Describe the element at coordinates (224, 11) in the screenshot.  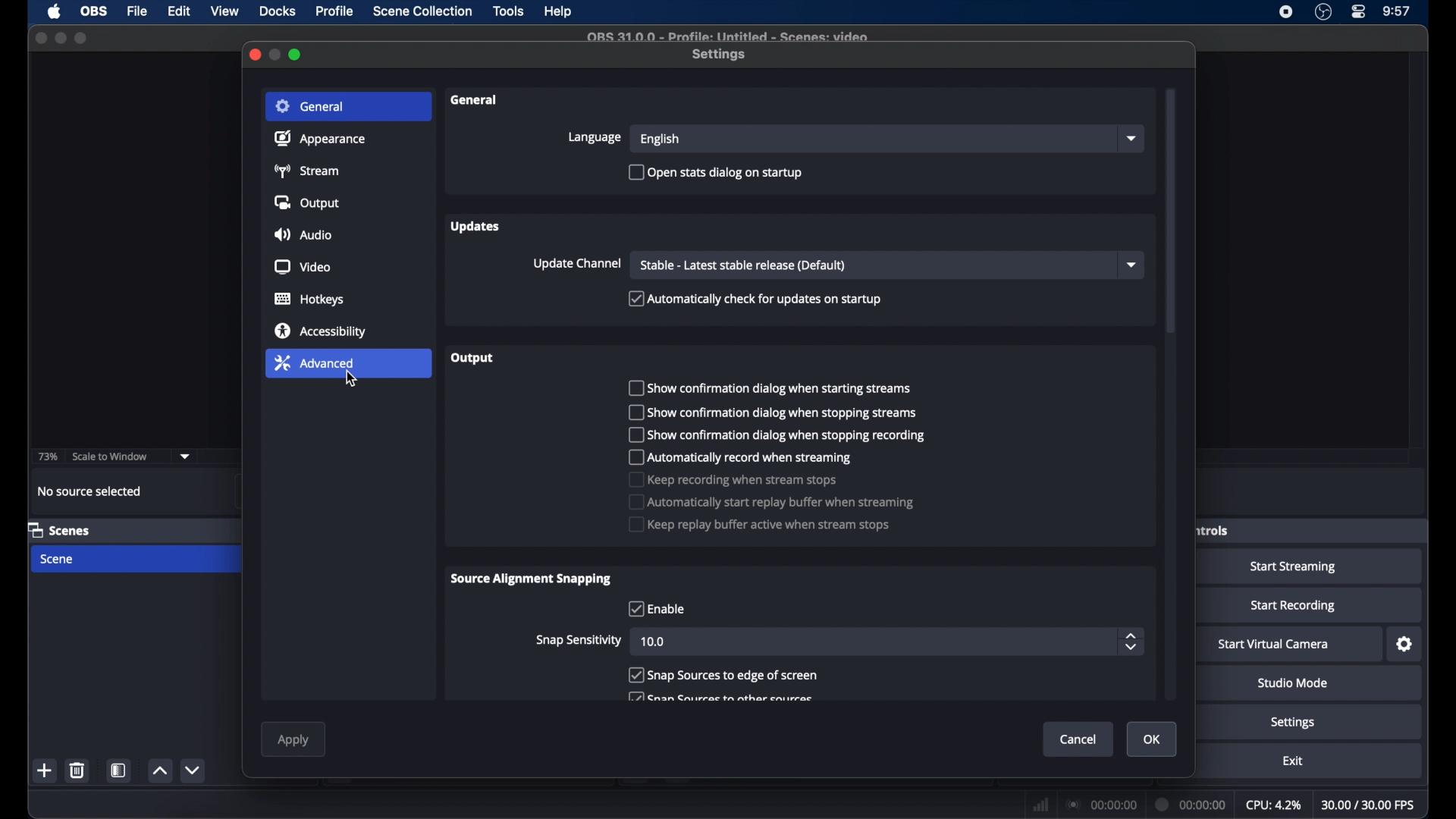
I see `view` at that location.